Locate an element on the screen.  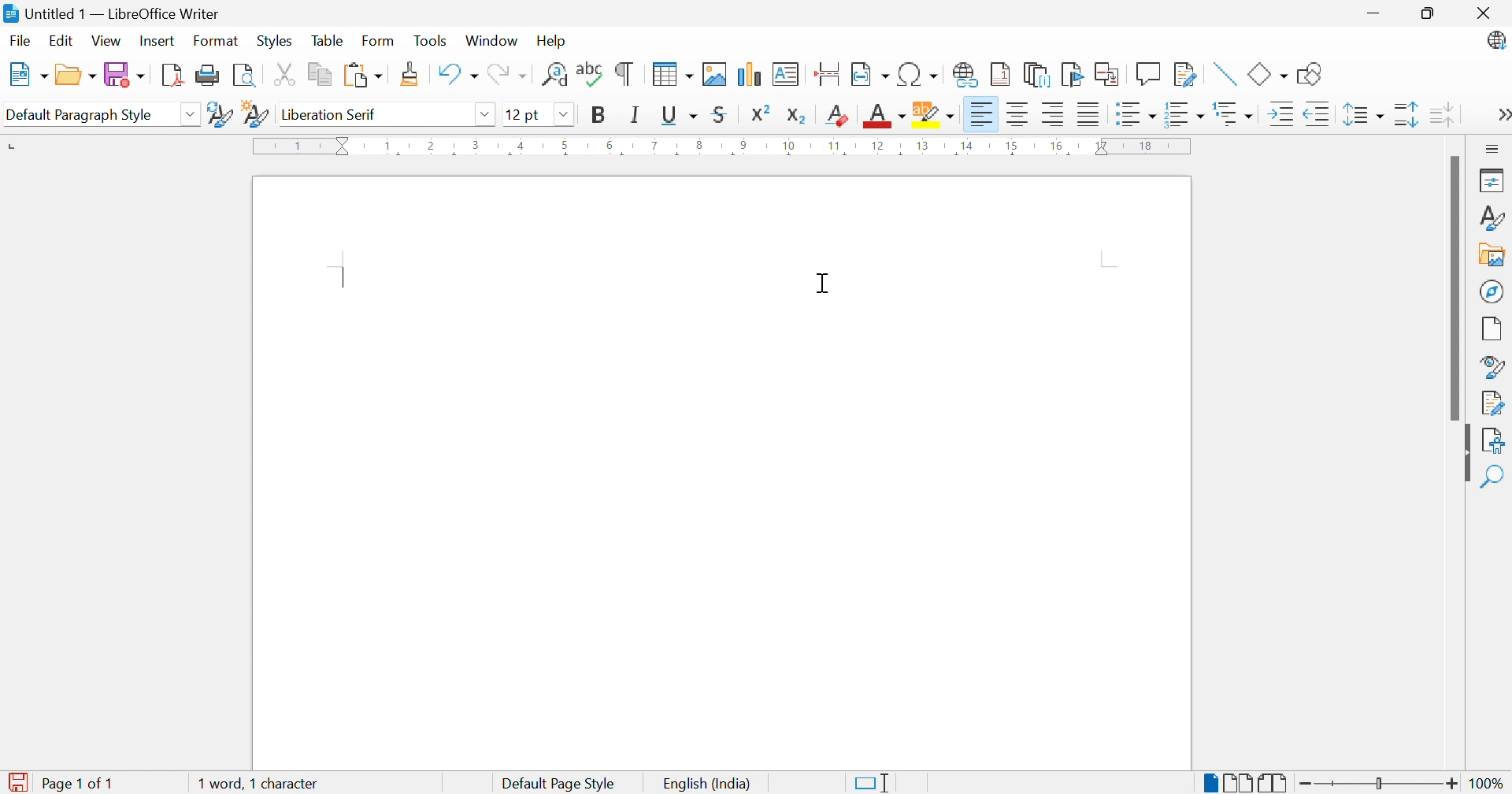
Page 1 of 1 is located at coordinates (82, 783).